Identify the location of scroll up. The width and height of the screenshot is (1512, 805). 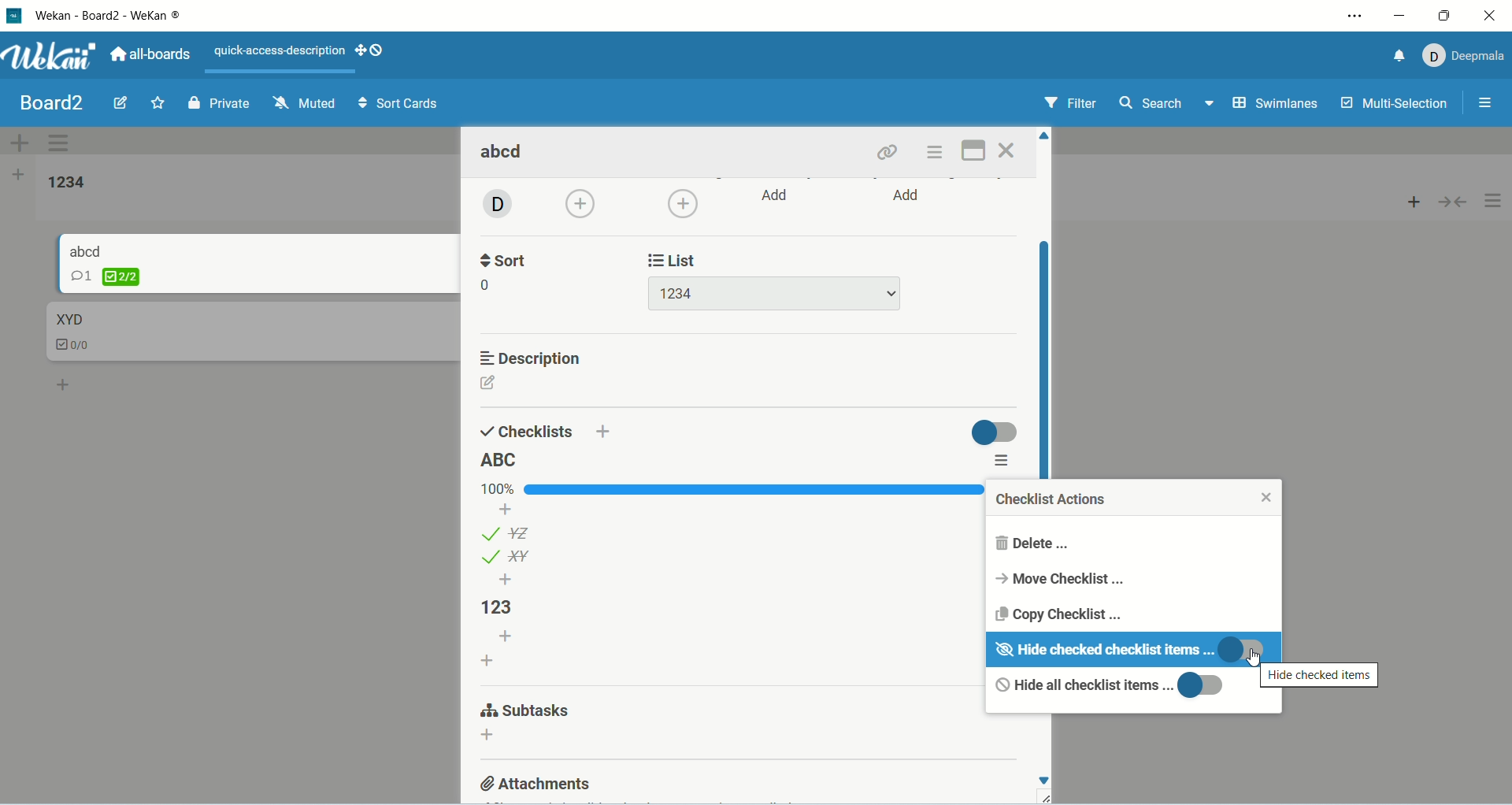
(1046, 135).